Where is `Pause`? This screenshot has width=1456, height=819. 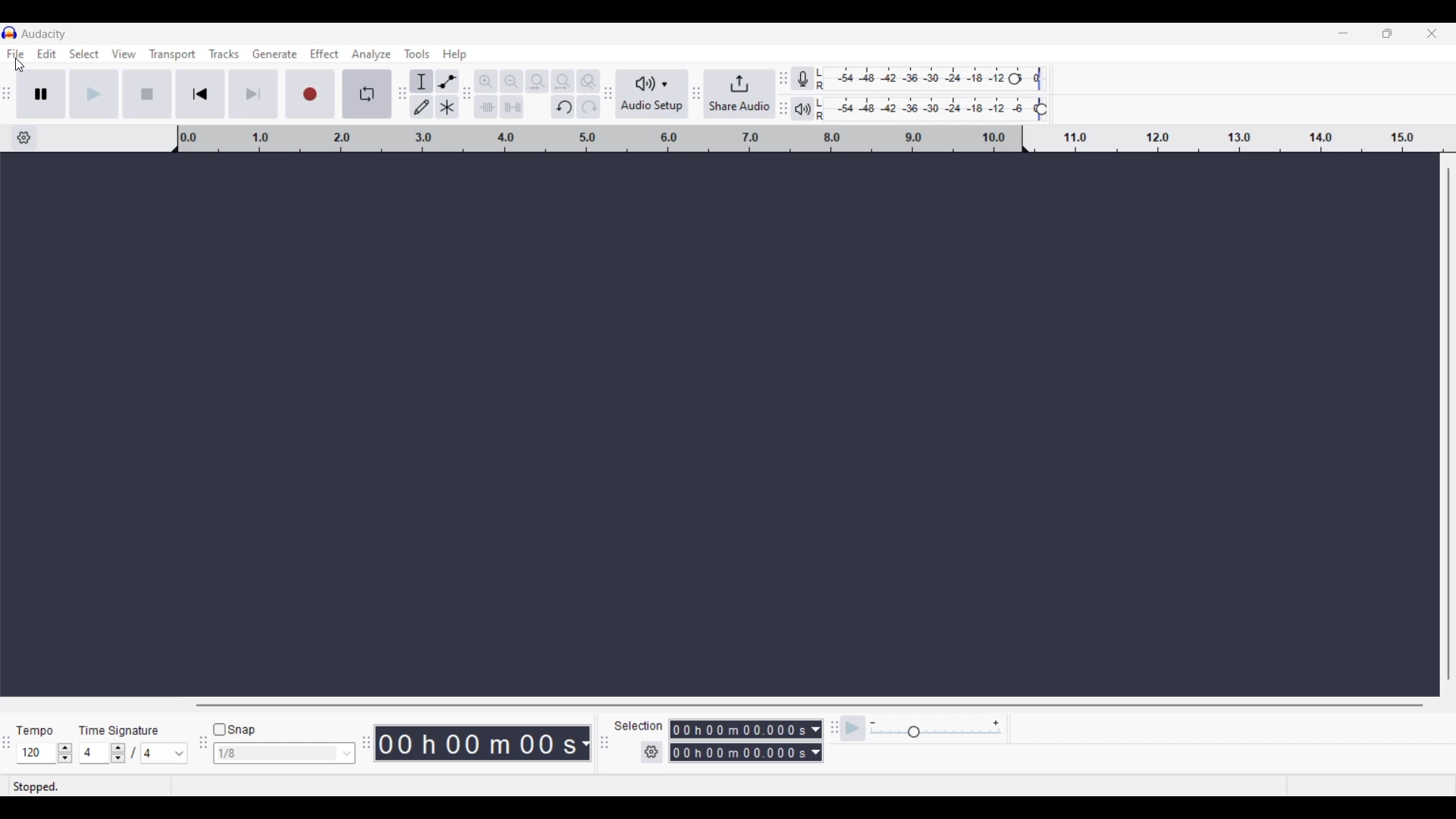
Pause is located at coordinates (45, 94).